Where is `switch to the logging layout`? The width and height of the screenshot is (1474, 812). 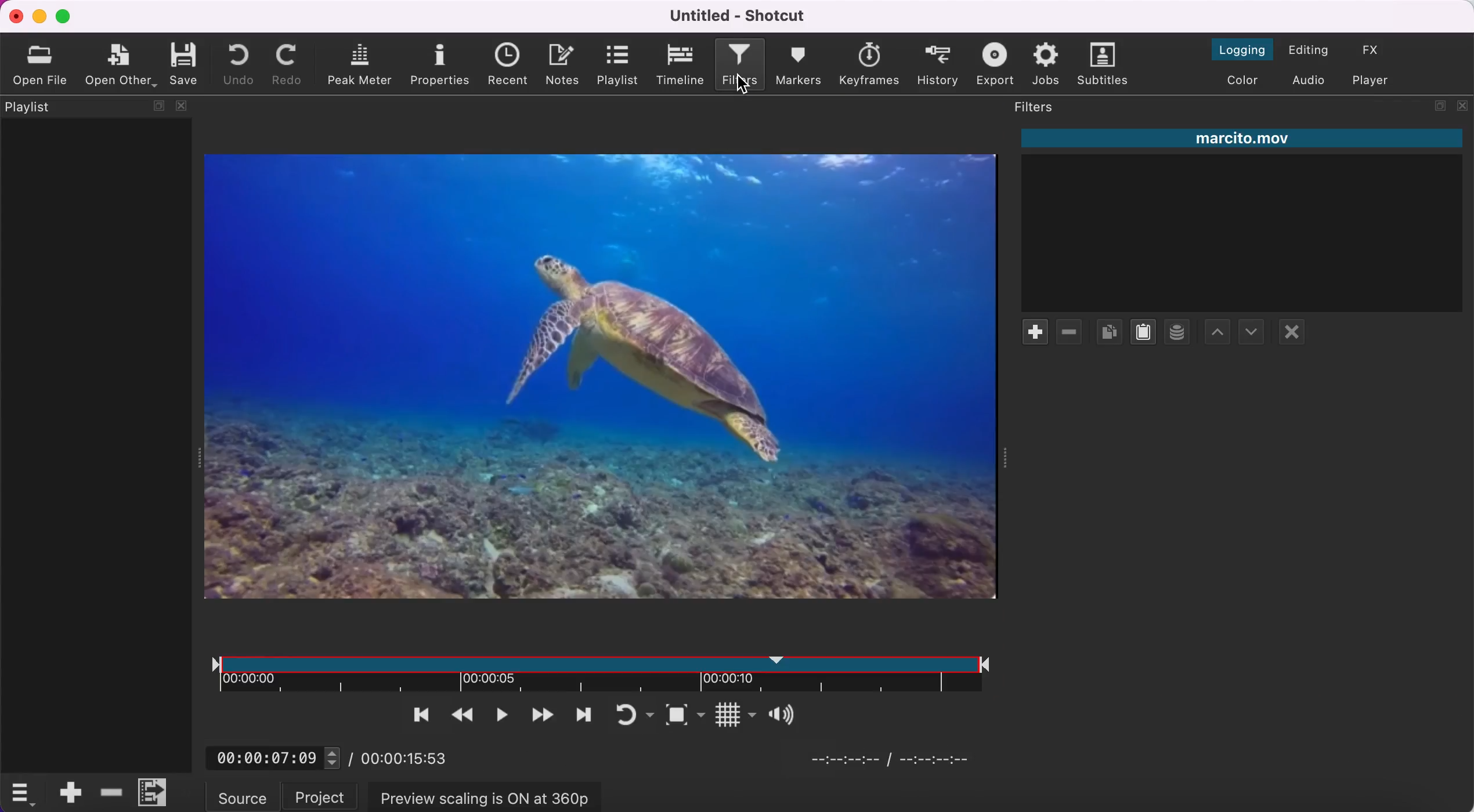
switch to the logging layout is located at coordinates (1231, 49).